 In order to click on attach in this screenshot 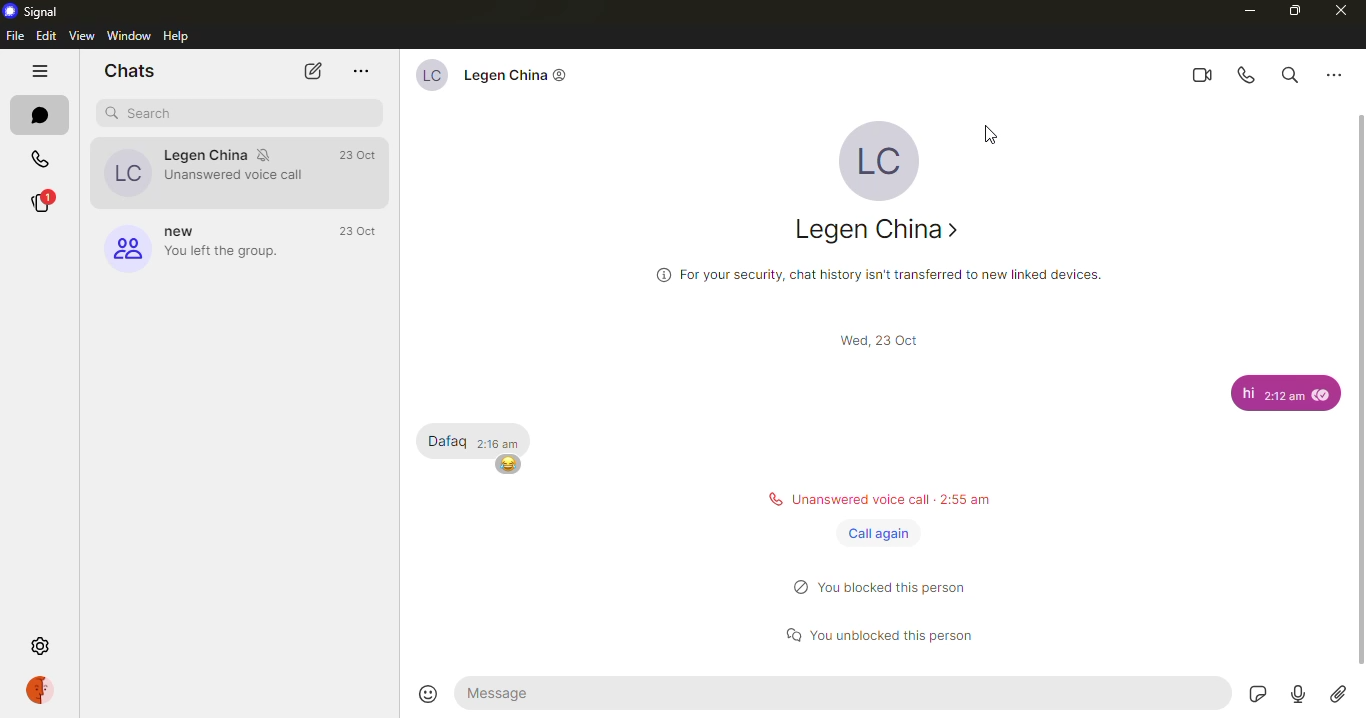, I will do `click(1339, 697)`.